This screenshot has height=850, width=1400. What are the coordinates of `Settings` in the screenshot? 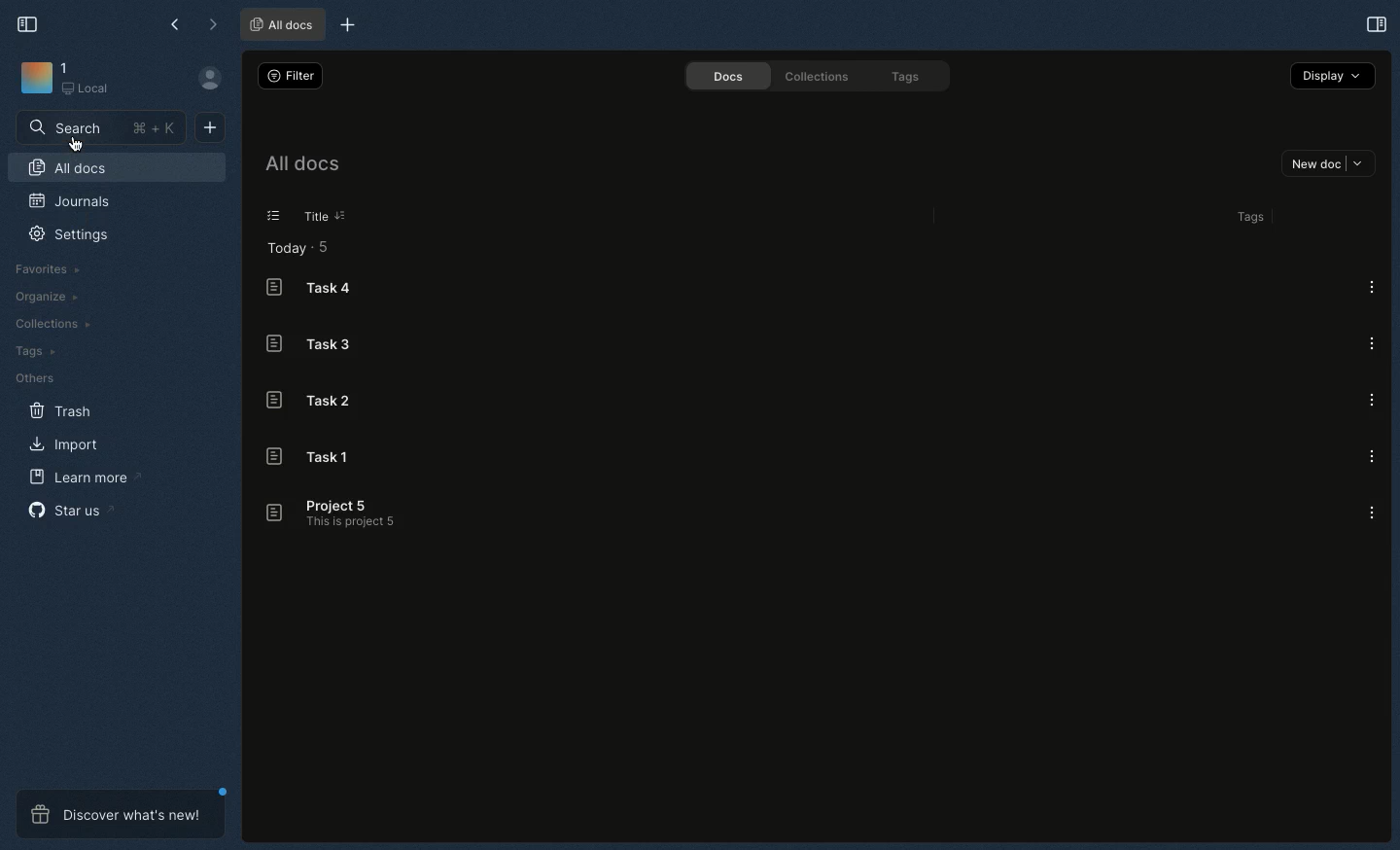 It's located at (71, 235).